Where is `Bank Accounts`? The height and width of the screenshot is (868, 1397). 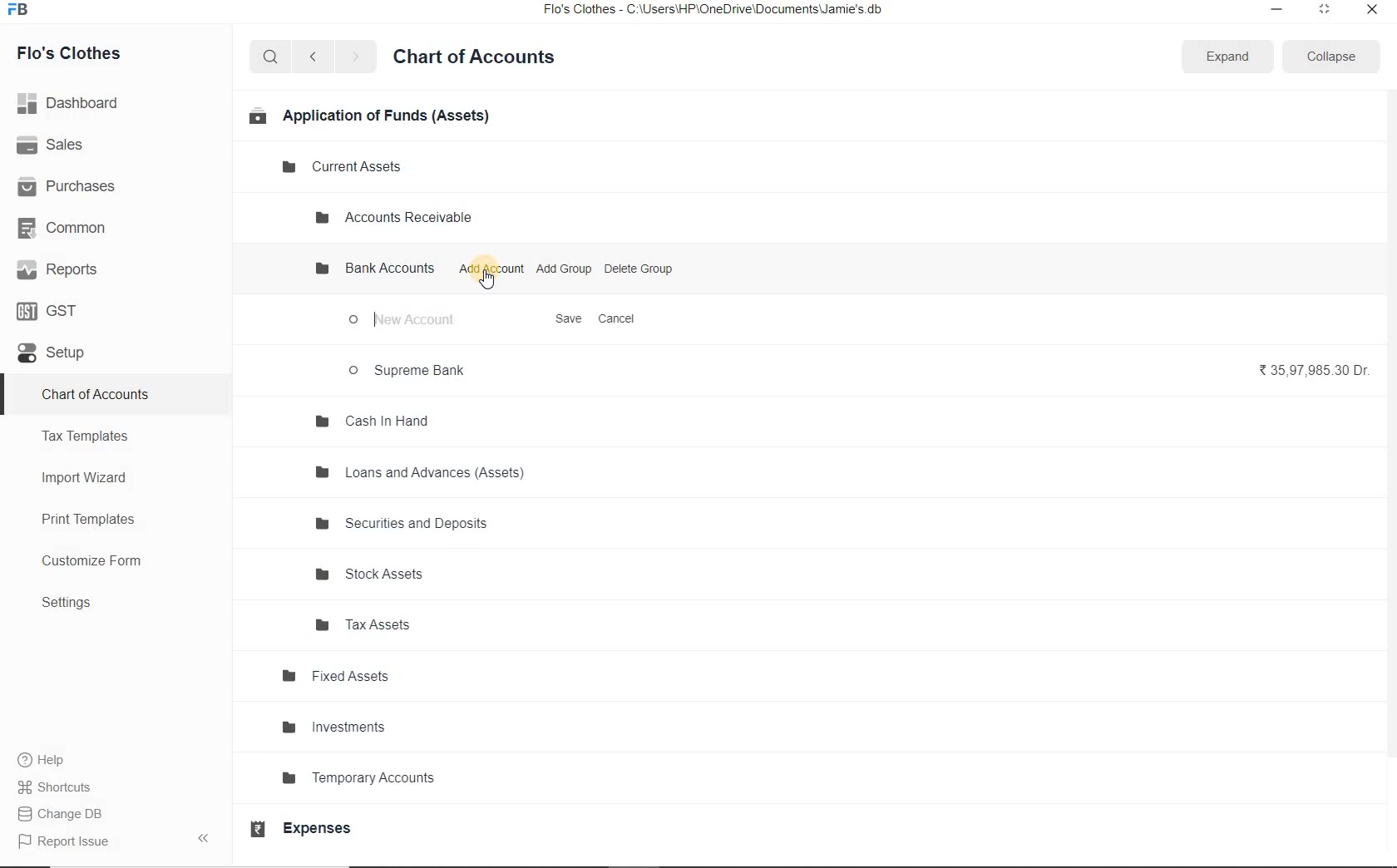 Bank Accounts is located at coordinates (378, 271).